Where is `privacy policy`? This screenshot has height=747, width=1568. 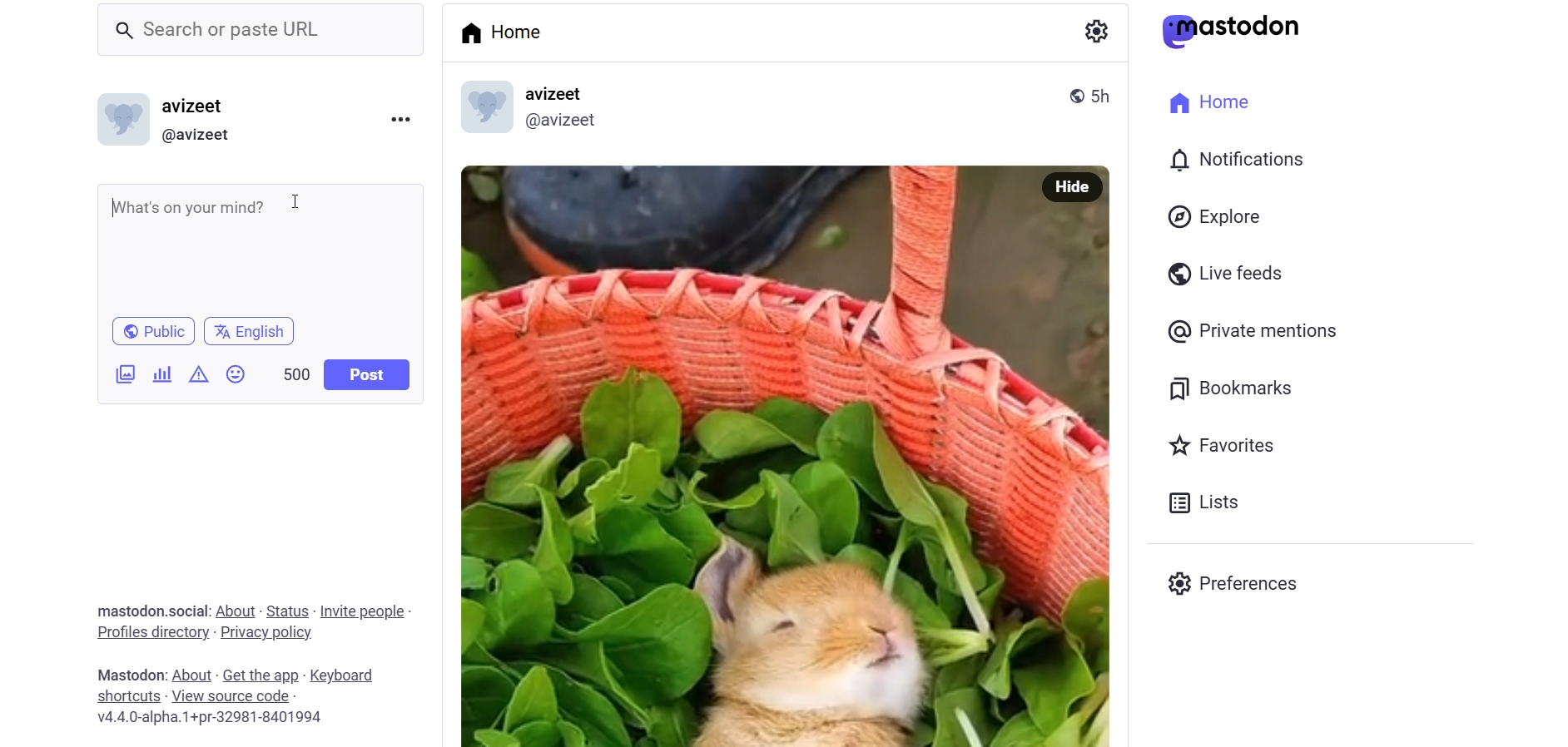 privacy policy is located at coordinates (266, 635).